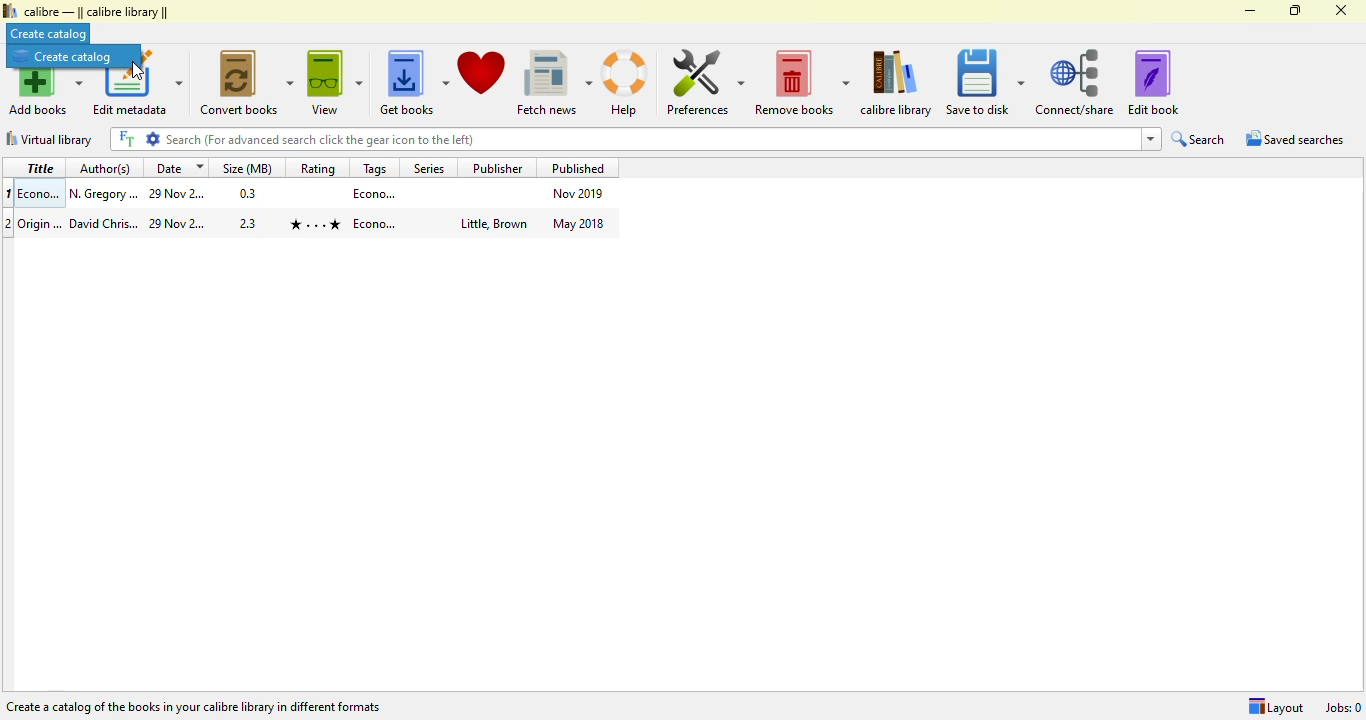 Image resolution: width=1366 pixels, height=720 pixels. I want to click on create catalog, so click(49, 34).